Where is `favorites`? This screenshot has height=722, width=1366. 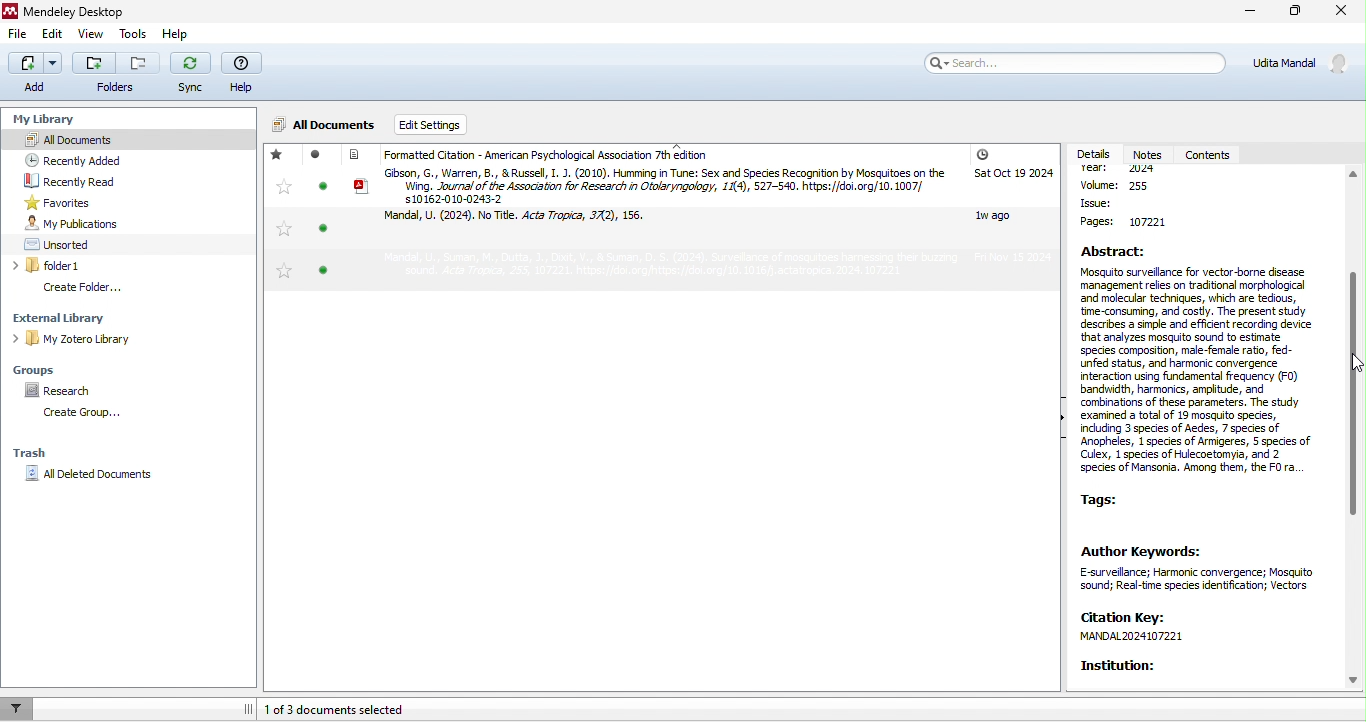
favorites is located at coordinates (281, 214).